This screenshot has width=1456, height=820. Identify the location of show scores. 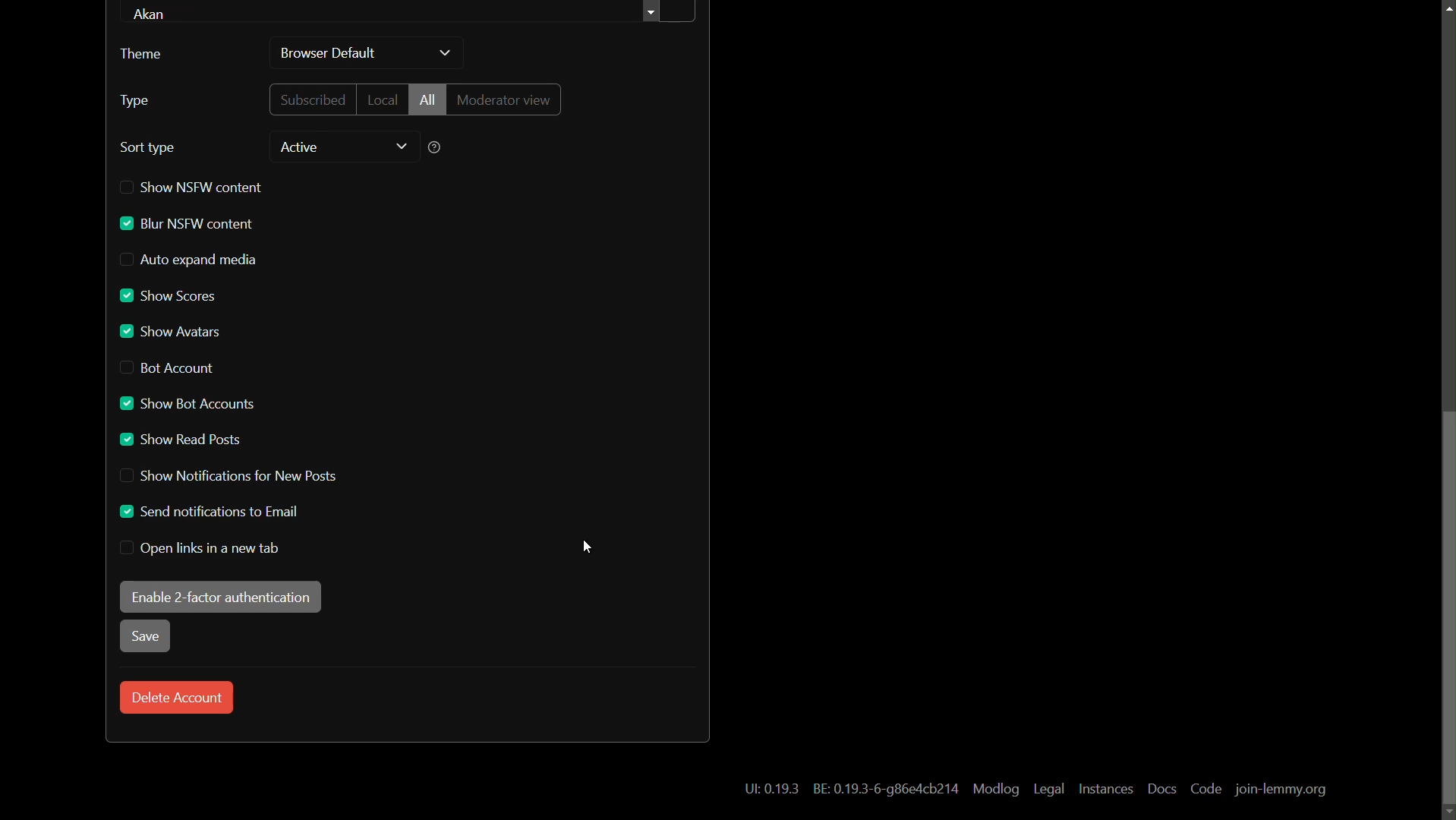
(168, 293).